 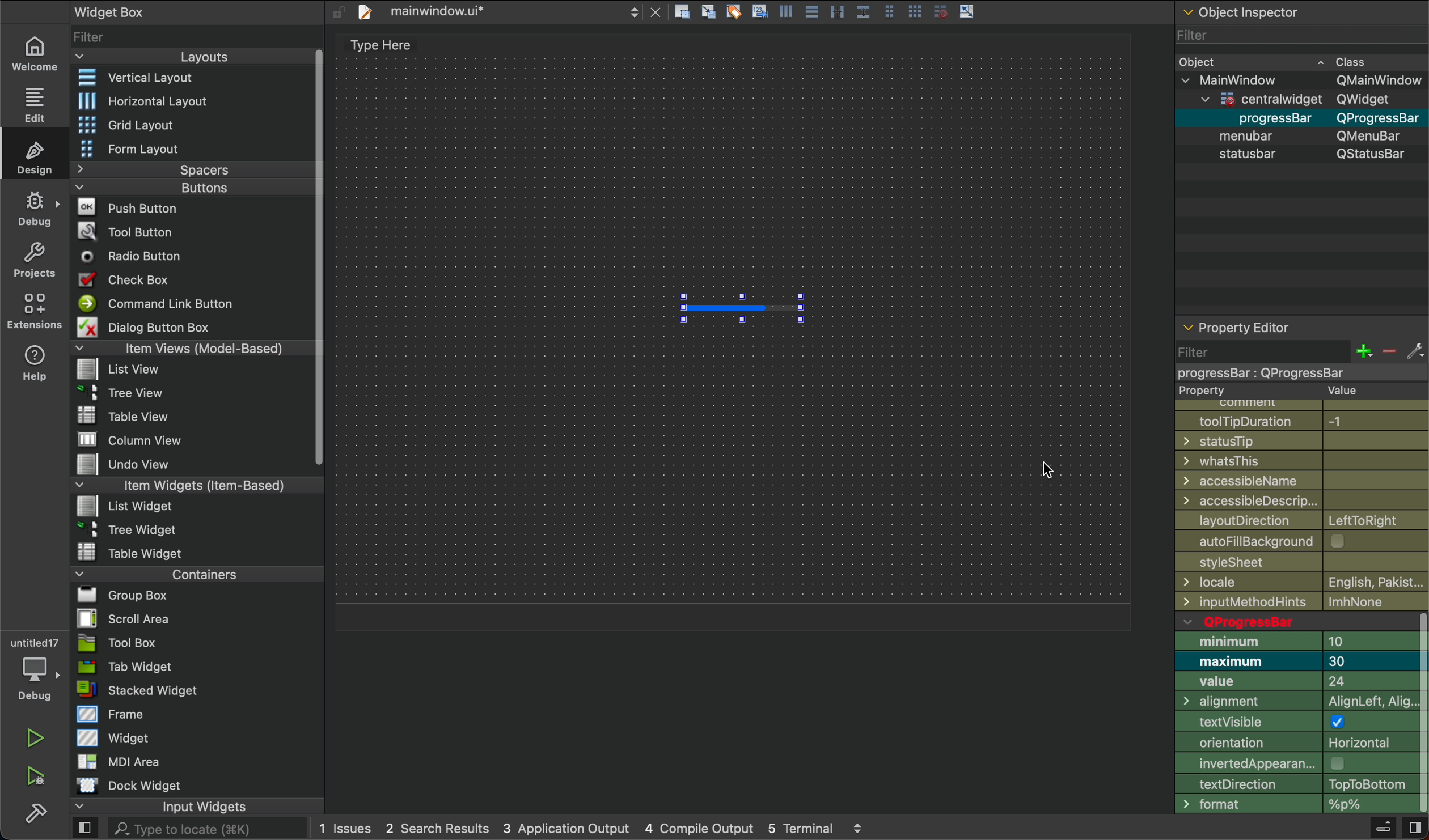 I want to click on progress bar, so click(x=742, y=306).